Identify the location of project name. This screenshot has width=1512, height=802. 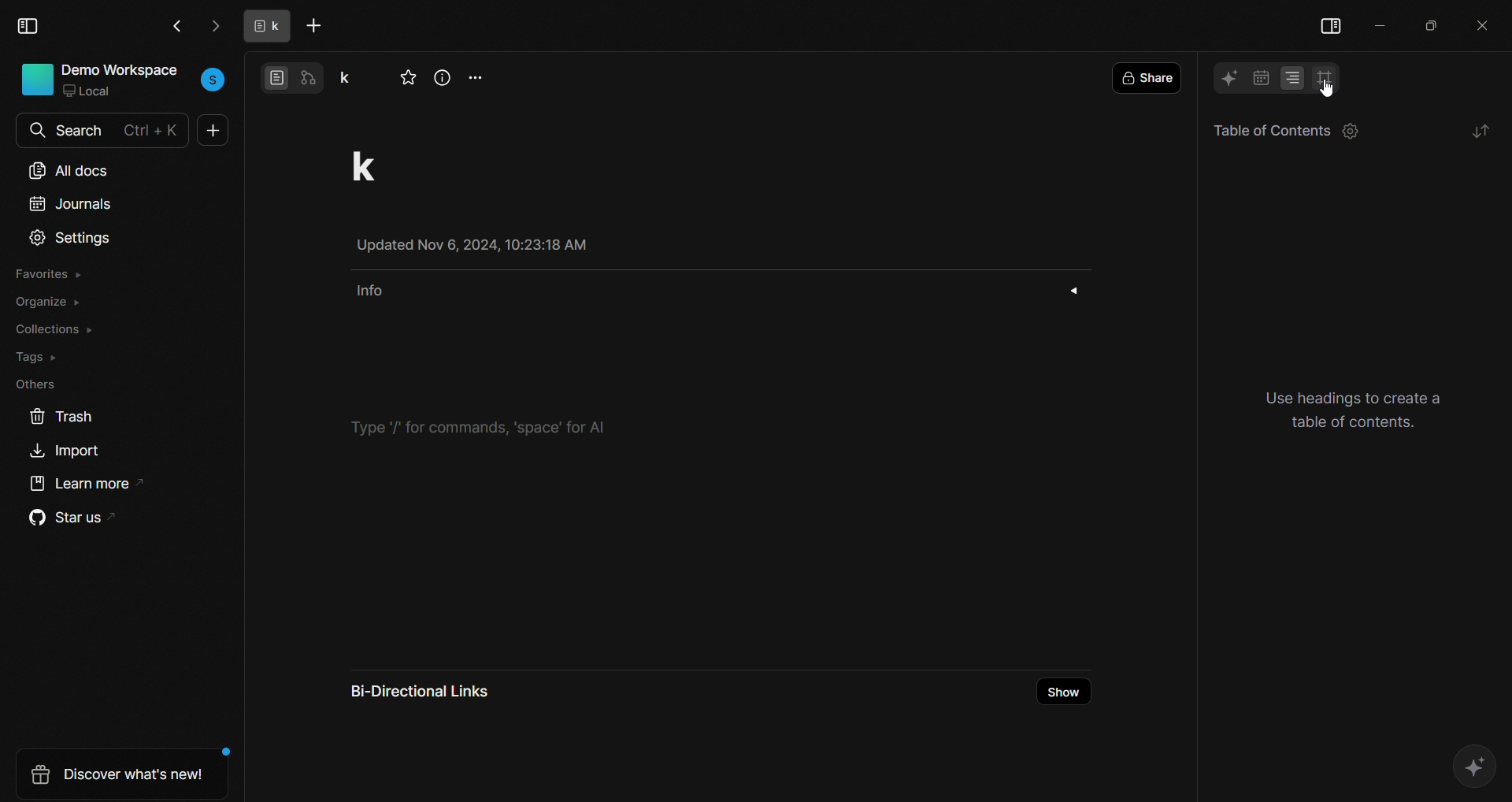
(353, 76).